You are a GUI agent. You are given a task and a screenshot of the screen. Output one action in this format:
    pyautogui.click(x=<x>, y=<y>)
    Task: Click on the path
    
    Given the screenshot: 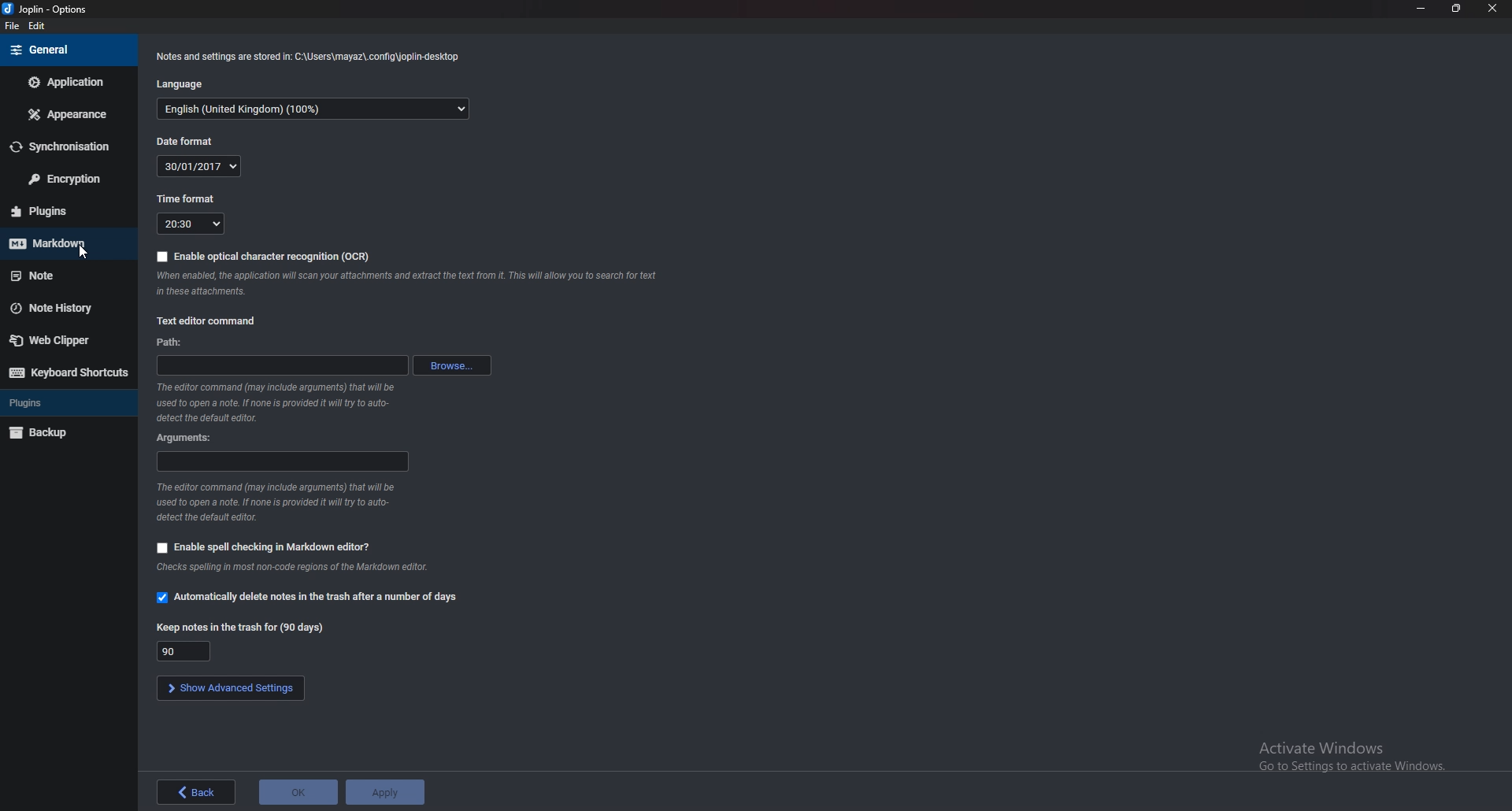 What is the action you would take?
    pyautogui.click(x=172, y=343)
    